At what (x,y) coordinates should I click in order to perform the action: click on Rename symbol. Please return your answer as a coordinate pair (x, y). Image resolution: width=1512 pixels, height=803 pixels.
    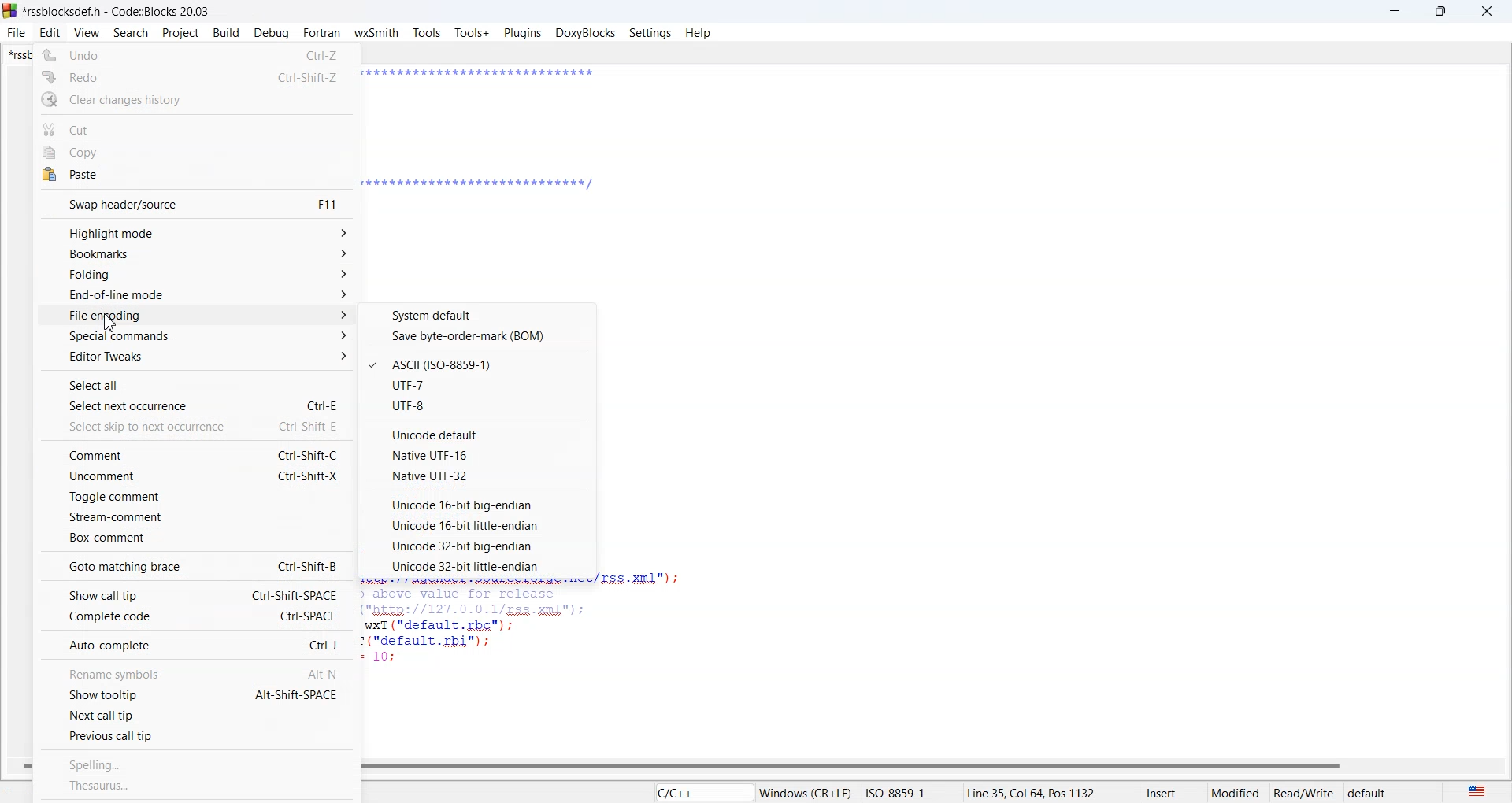
    Looking at the image, I should click on (196, 673).